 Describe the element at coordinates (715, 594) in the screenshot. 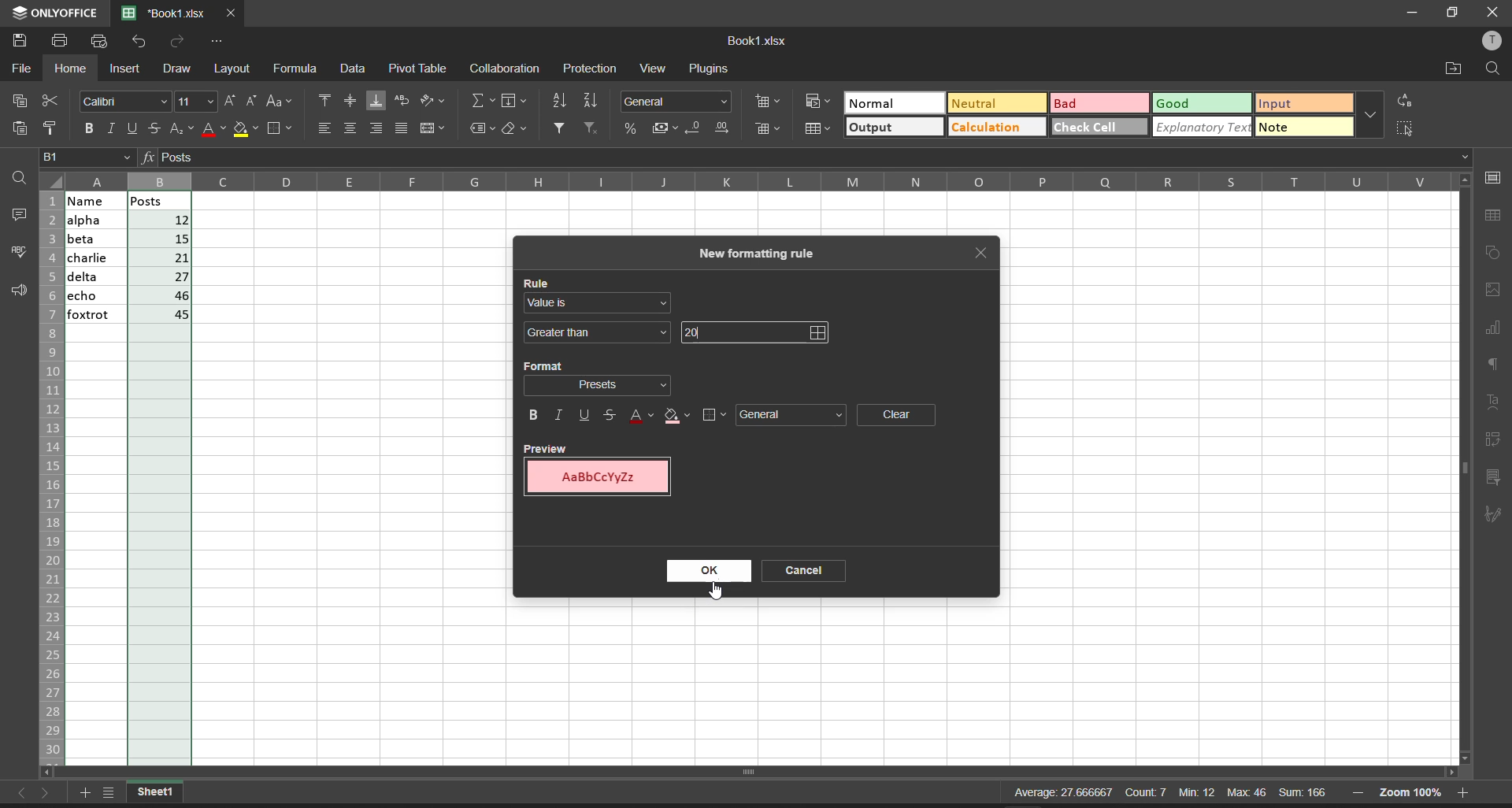

I see `cursor` at that location.